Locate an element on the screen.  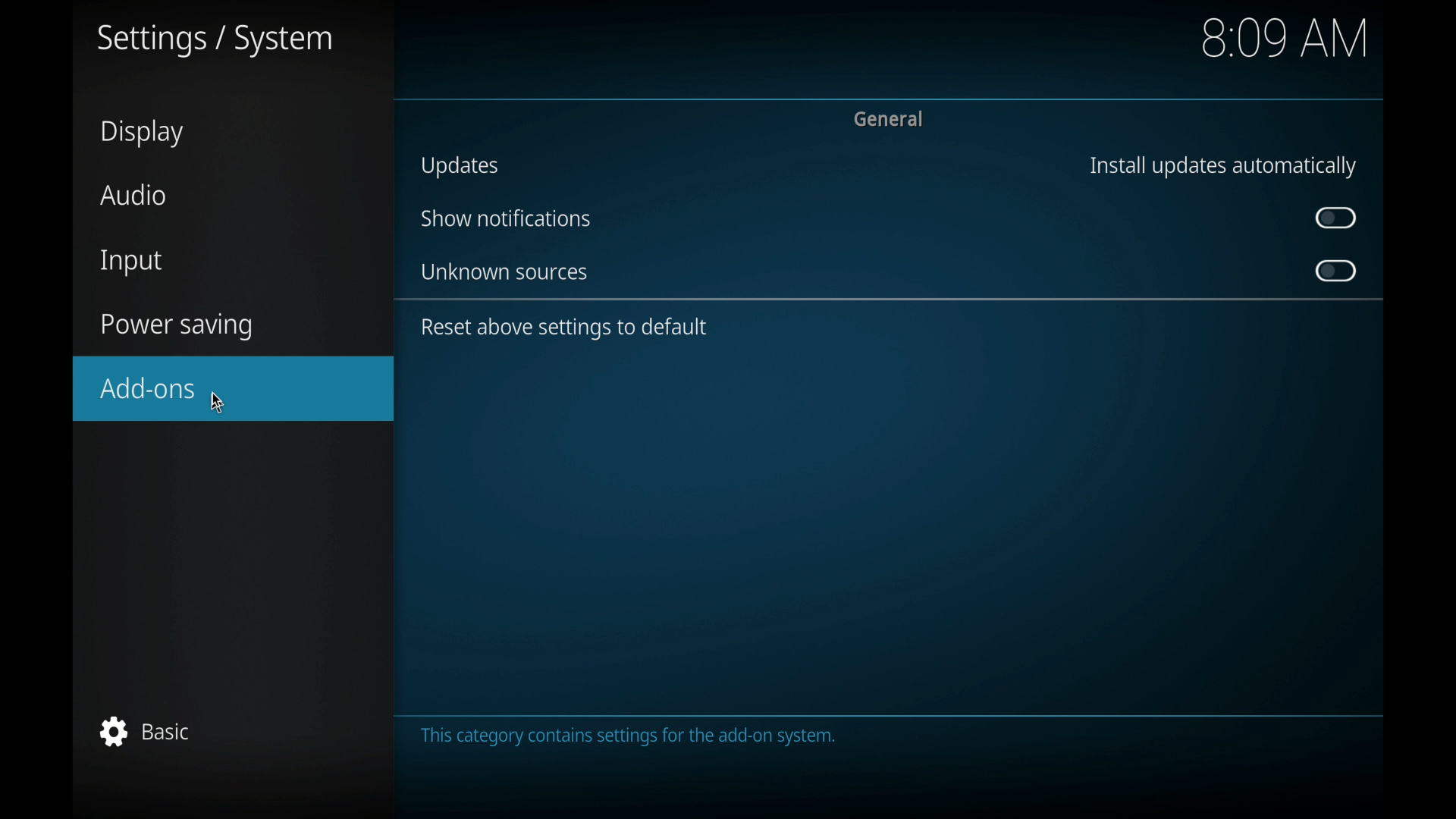
general is located at coordinates (891, 119).